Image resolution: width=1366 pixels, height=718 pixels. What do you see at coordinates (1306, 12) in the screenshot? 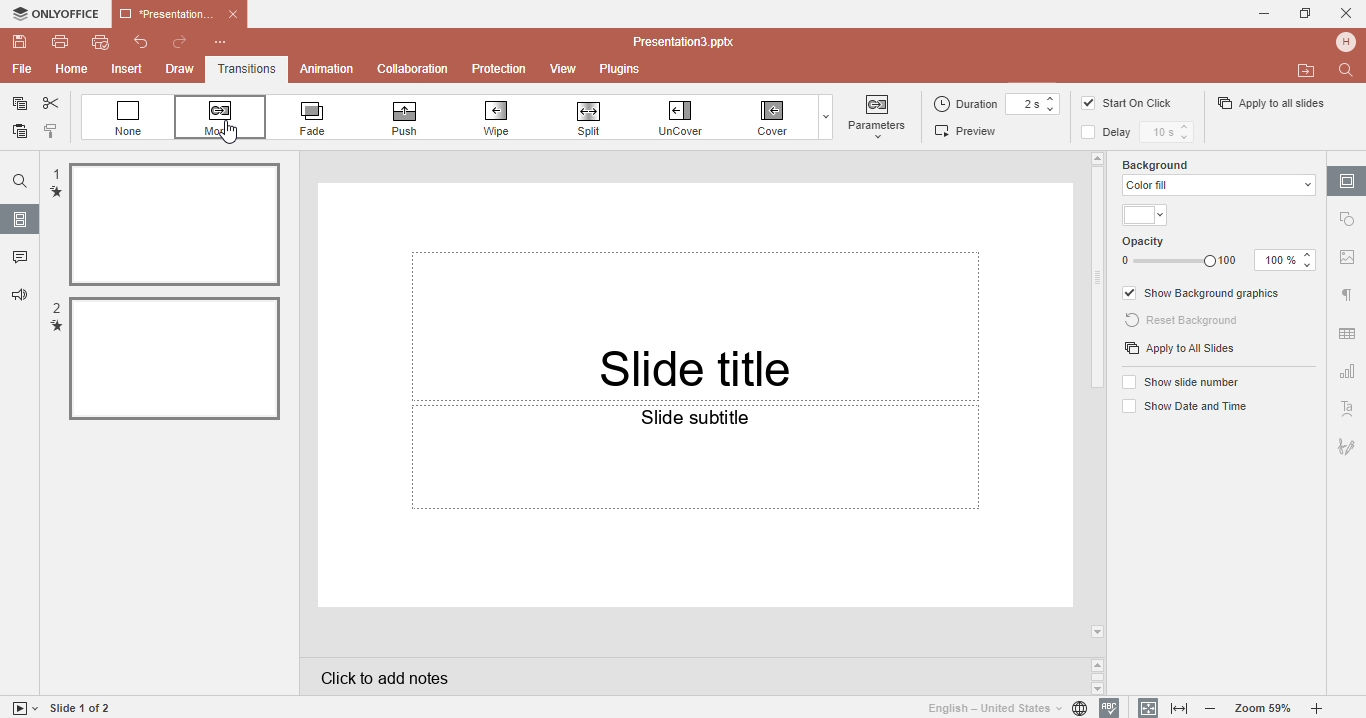
I see `Maximize` at bounding box center [1306, 12].